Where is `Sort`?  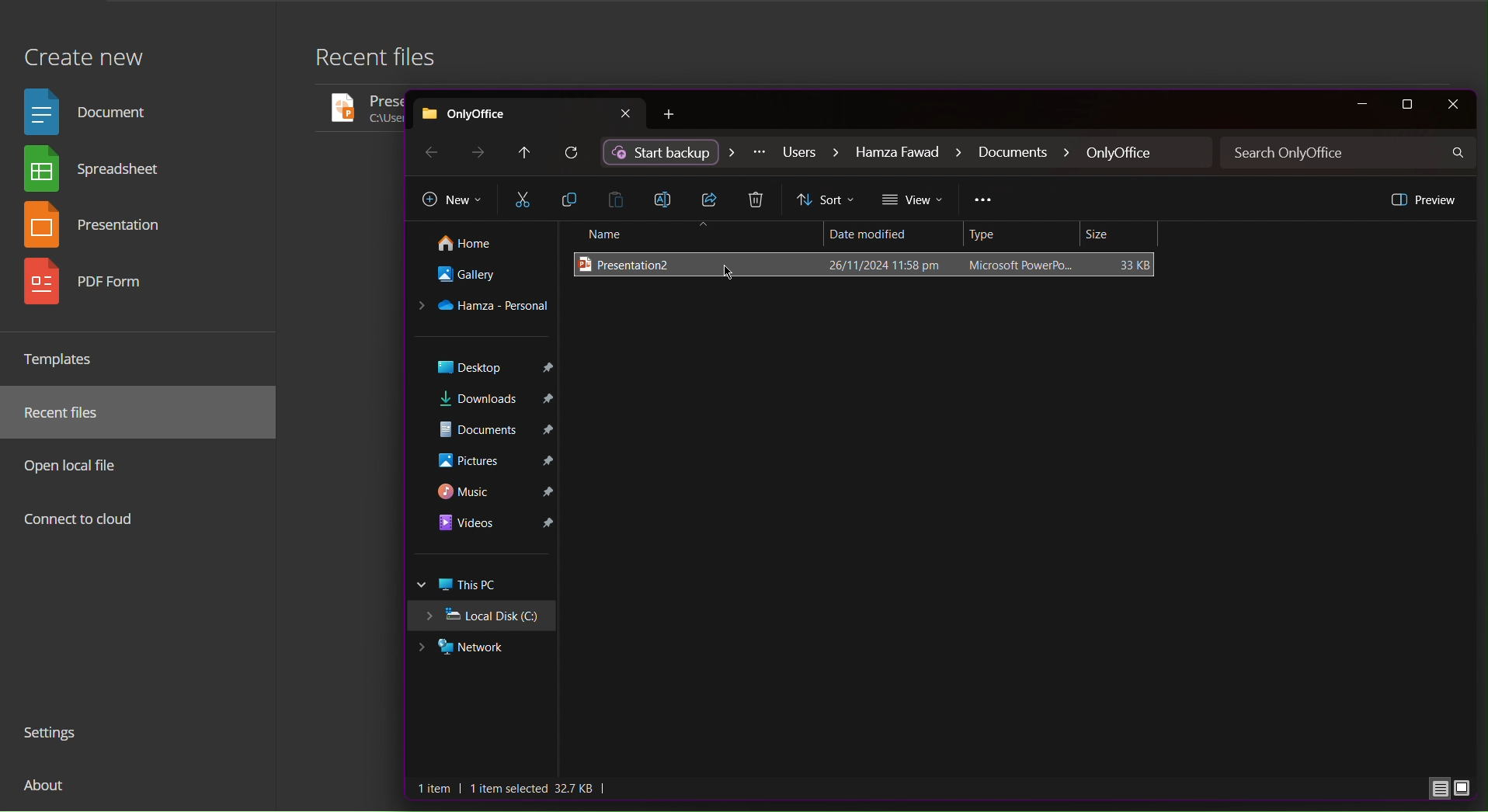
Sort is located at coordinates (827, 200).